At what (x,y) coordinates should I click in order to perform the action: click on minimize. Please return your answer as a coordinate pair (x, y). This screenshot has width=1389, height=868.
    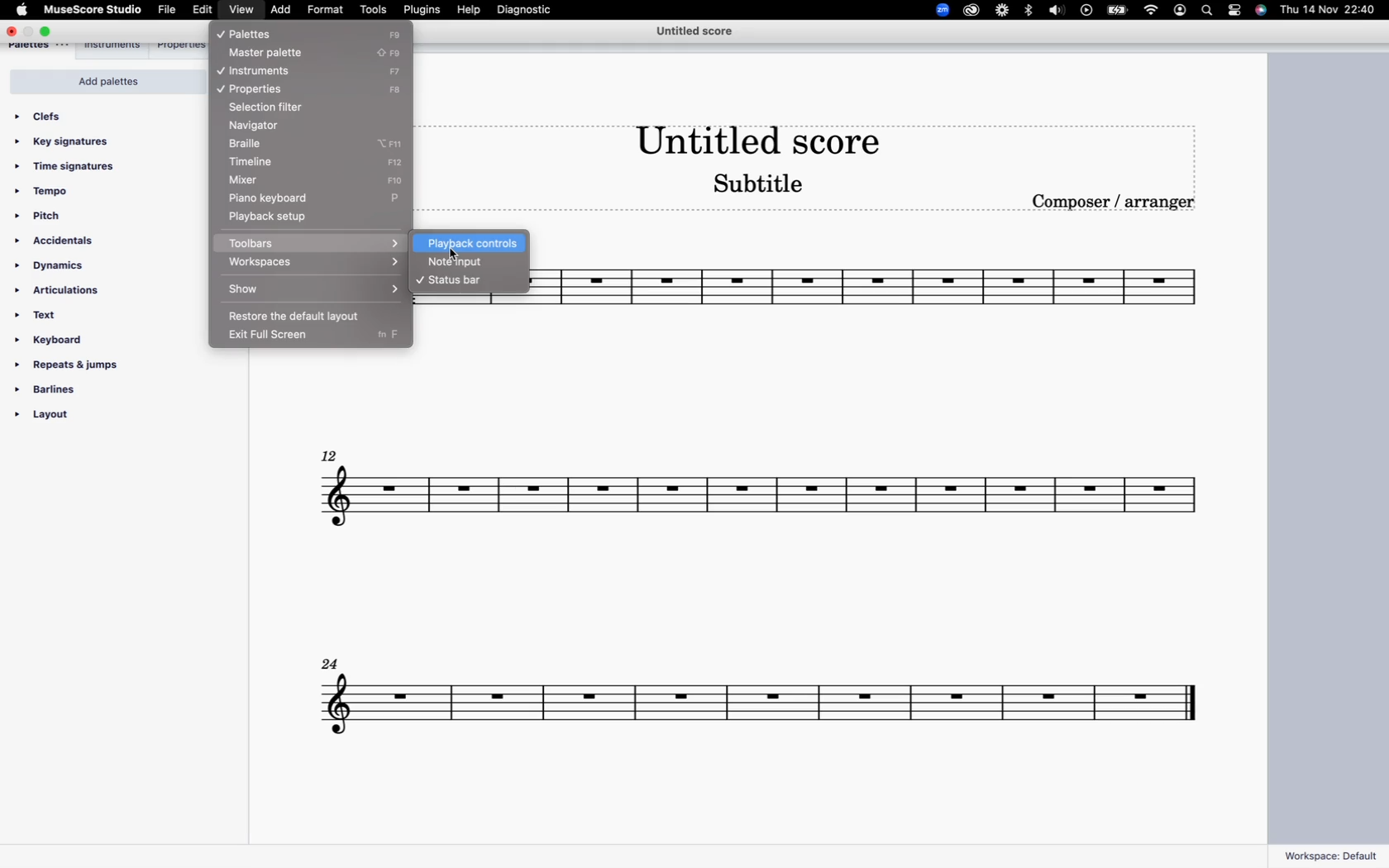
    Looking at the image, I should click on (30, 31).